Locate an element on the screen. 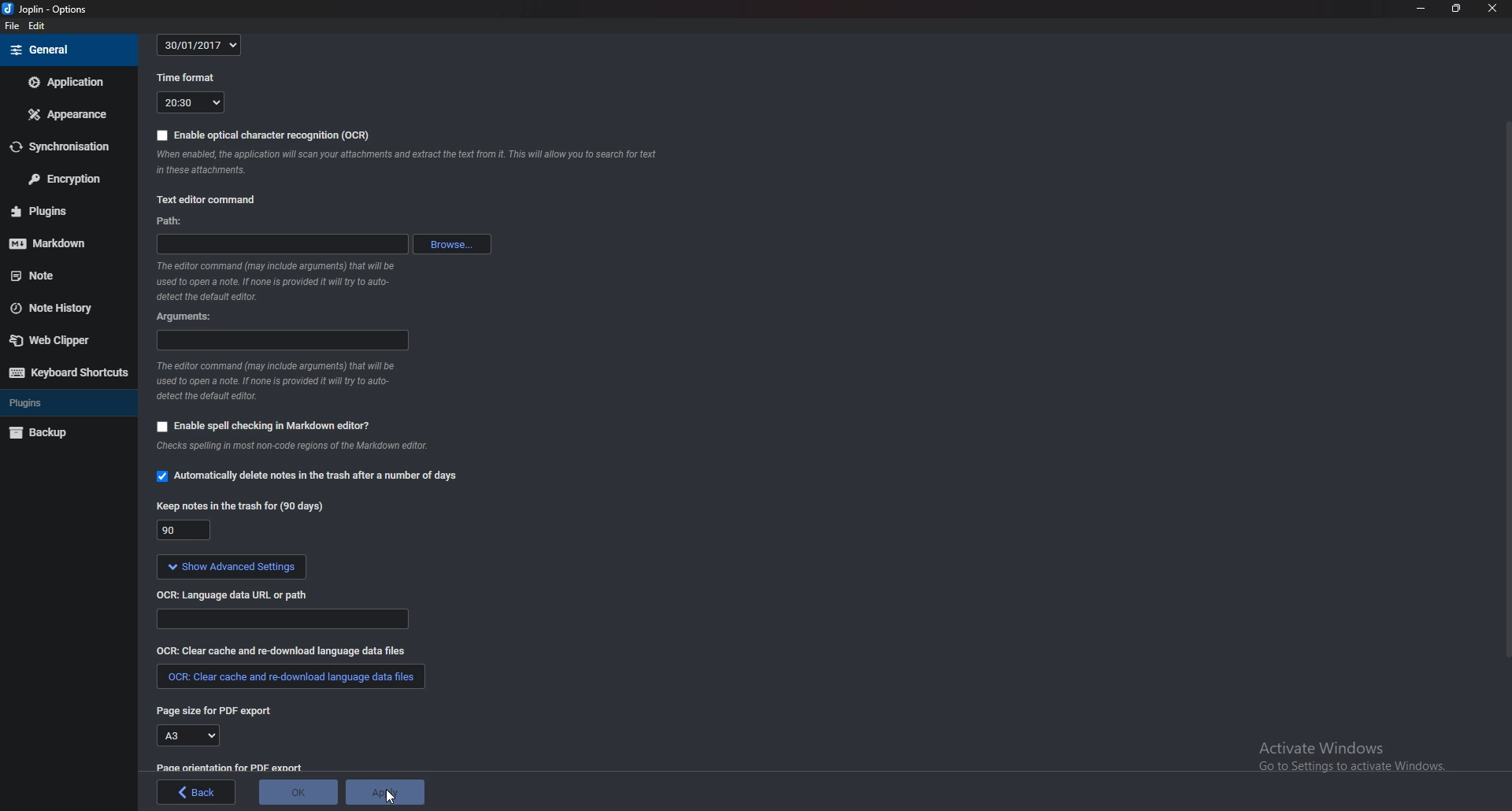 The width and height of the screenshot is (1512, 811). activate windows is located at coordinates (1355, 755).